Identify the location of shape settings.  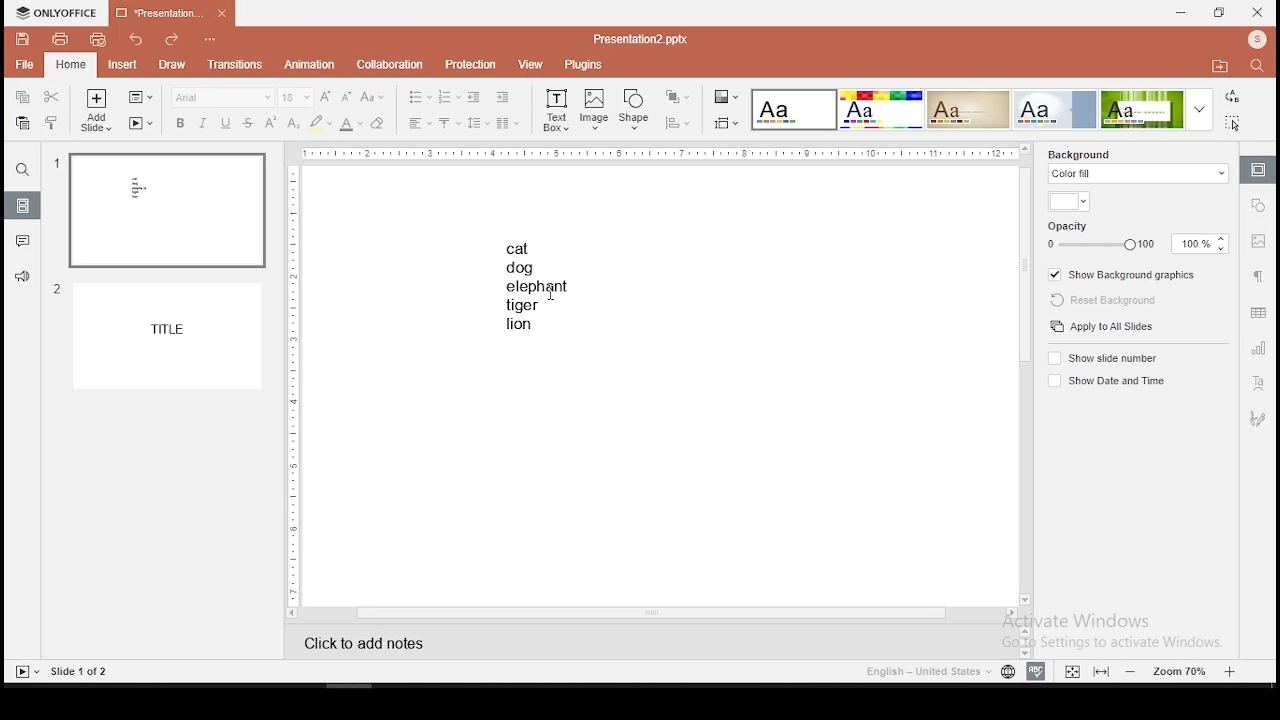
(1257, 207).